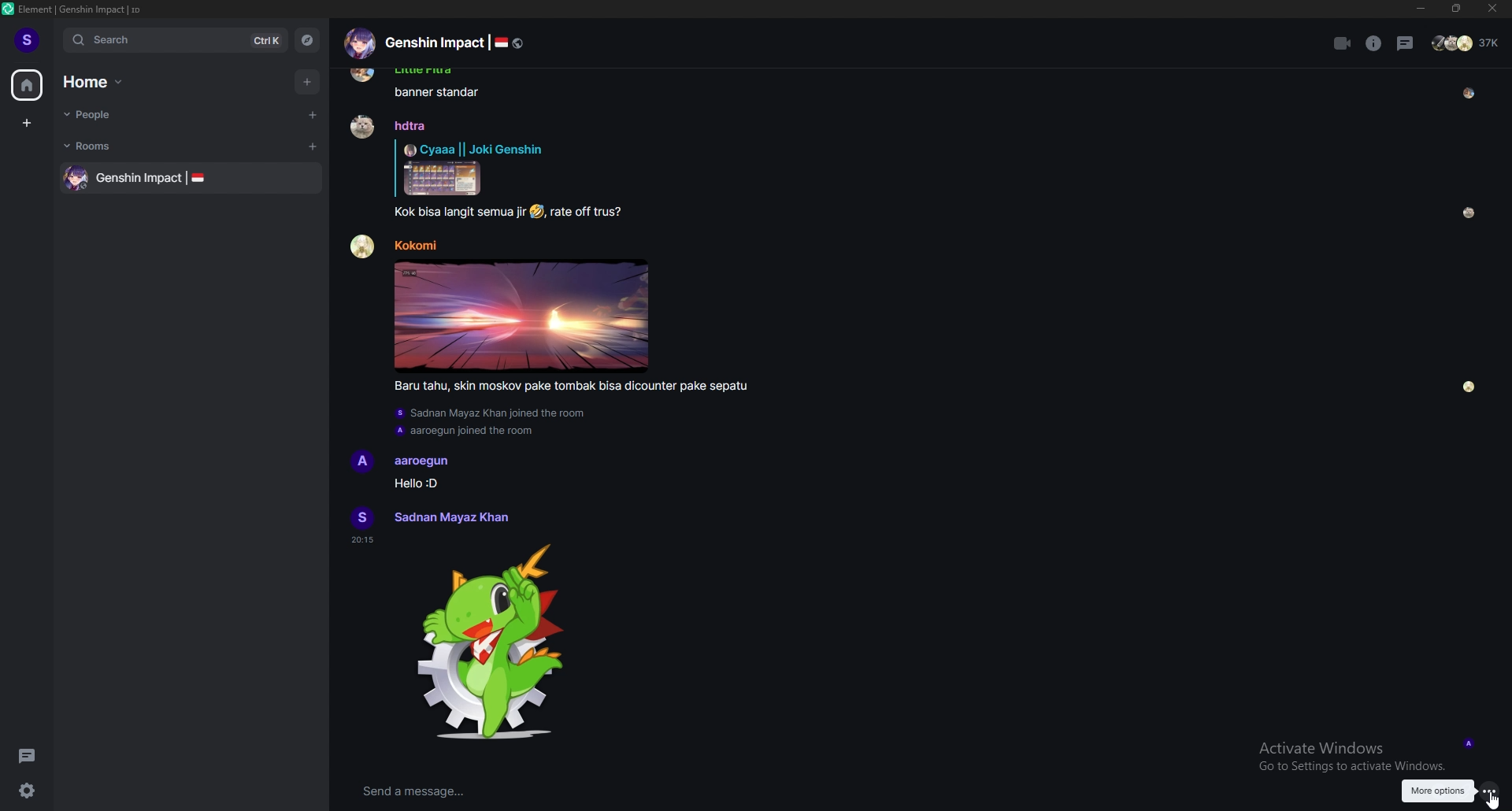 This screenshot has width=1512, height=811. Describe the element at coordinates (673, 792) in the screenshot. I see `message box` at that location.